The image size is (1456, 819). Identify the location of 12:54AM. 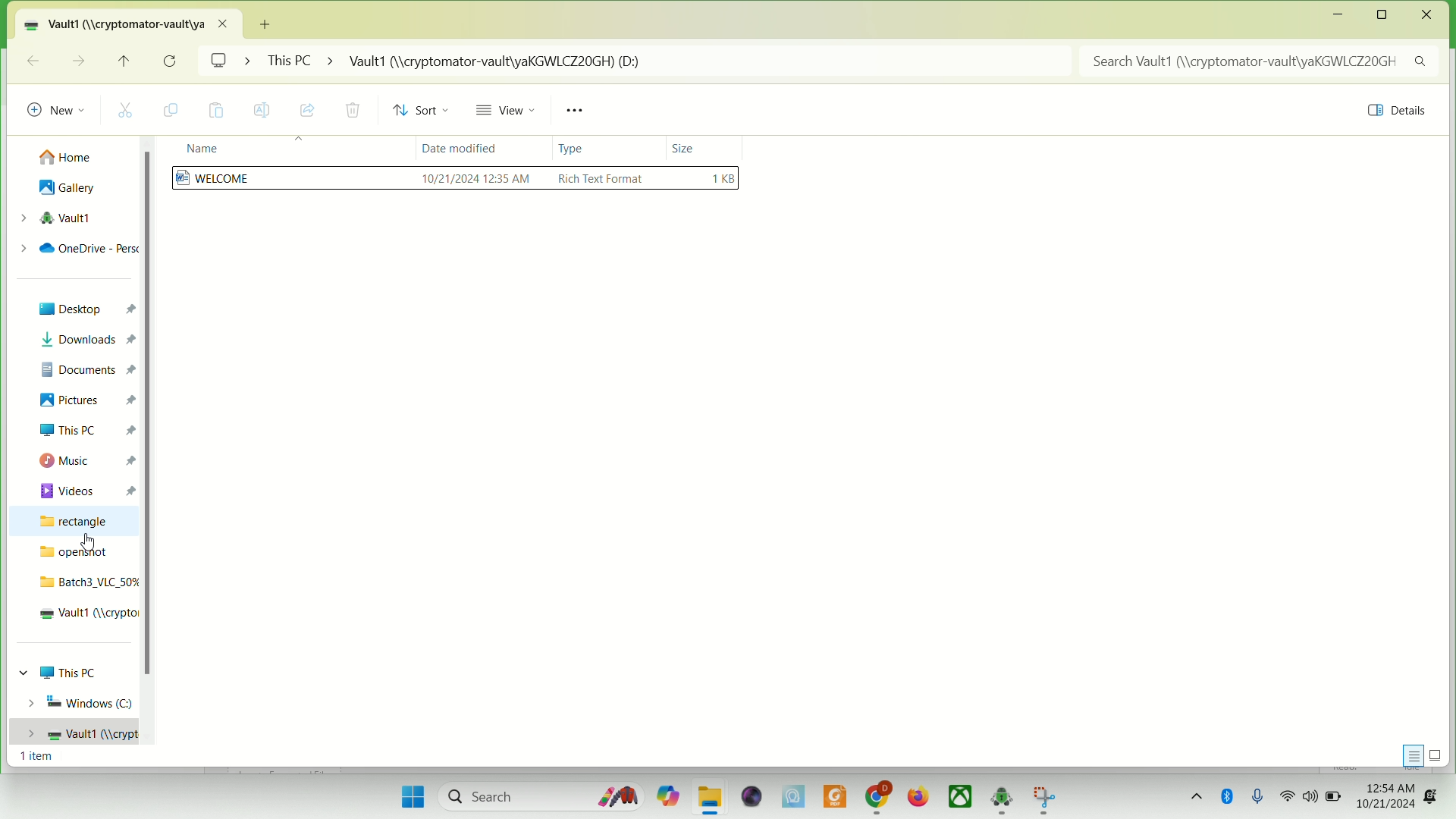
(1386, 783).